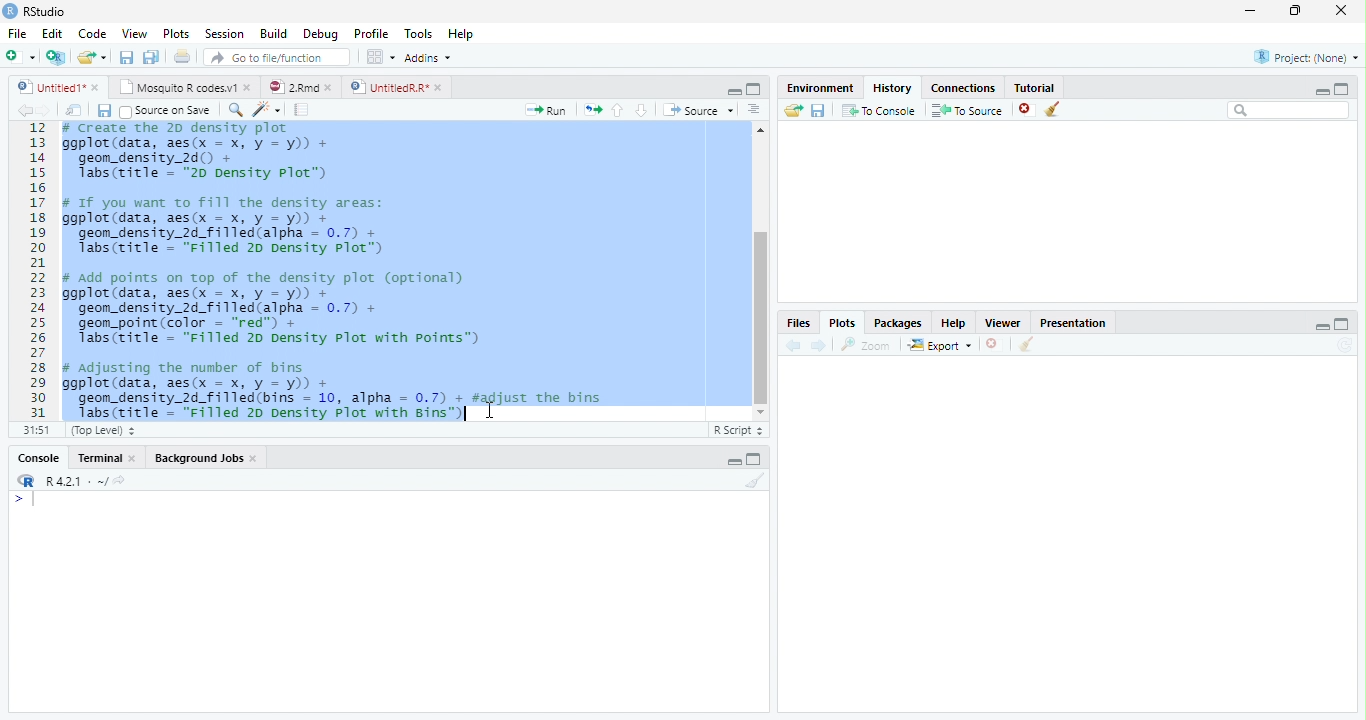  I want to click on print current file, so click(182, 56).